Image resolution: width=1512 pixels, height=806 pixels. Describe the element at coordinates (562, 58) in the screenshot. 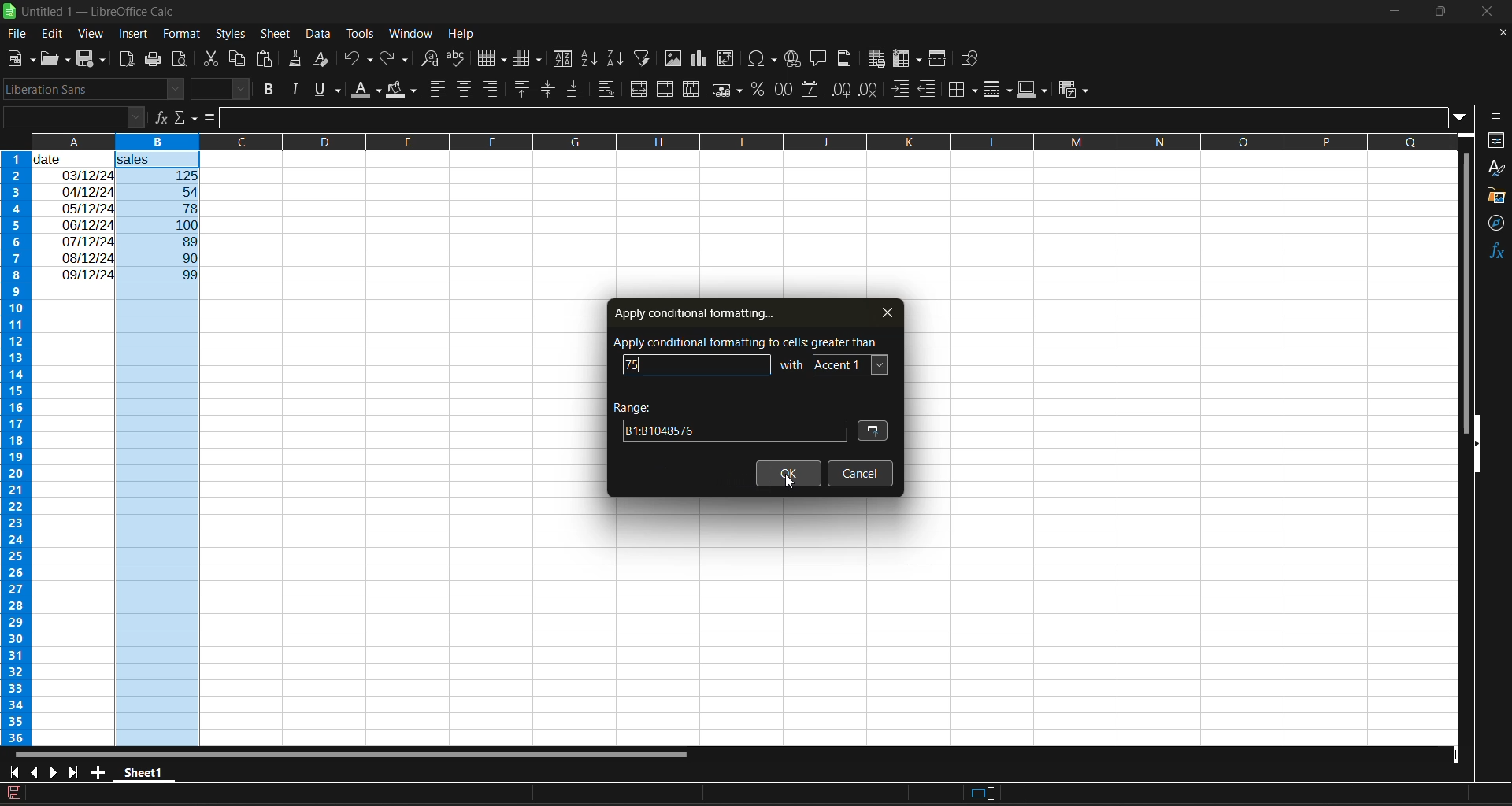

I see `sort` at that location.